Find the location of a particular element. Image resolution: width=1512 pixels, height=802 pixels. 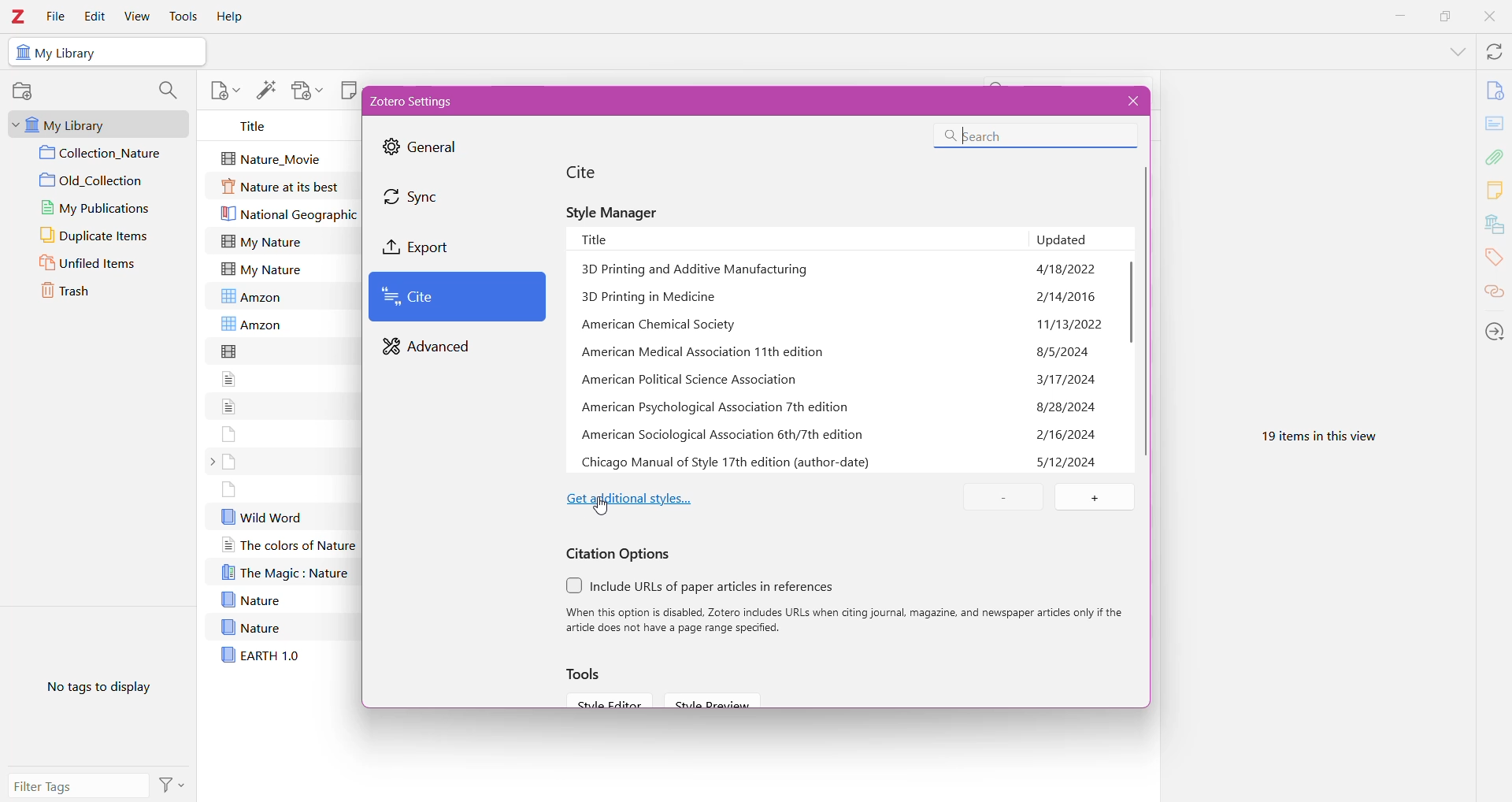

Filter Collections is located at coordinates (167, 91).